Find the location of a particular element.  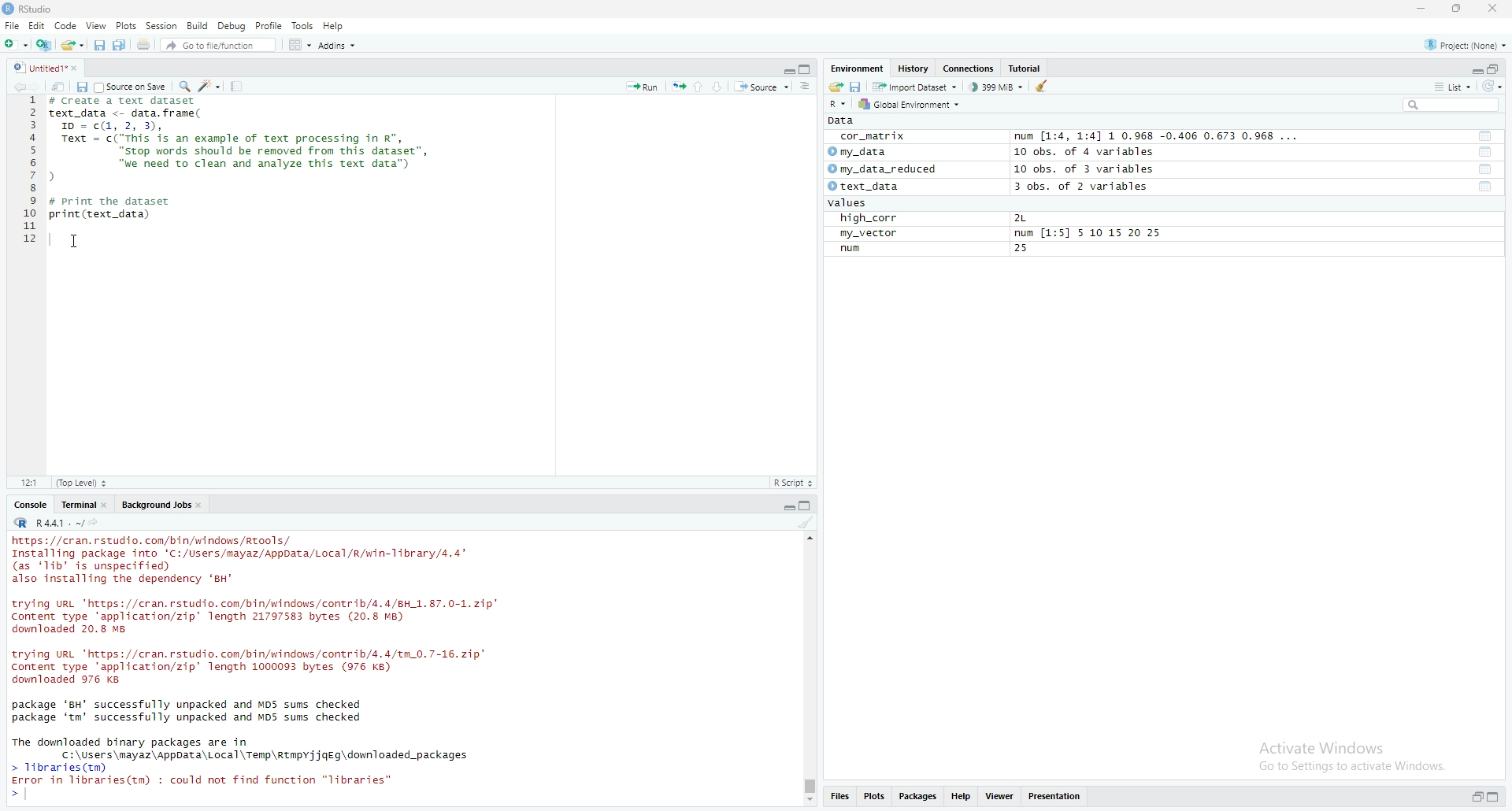

connections is located at coordinates (971, 69).